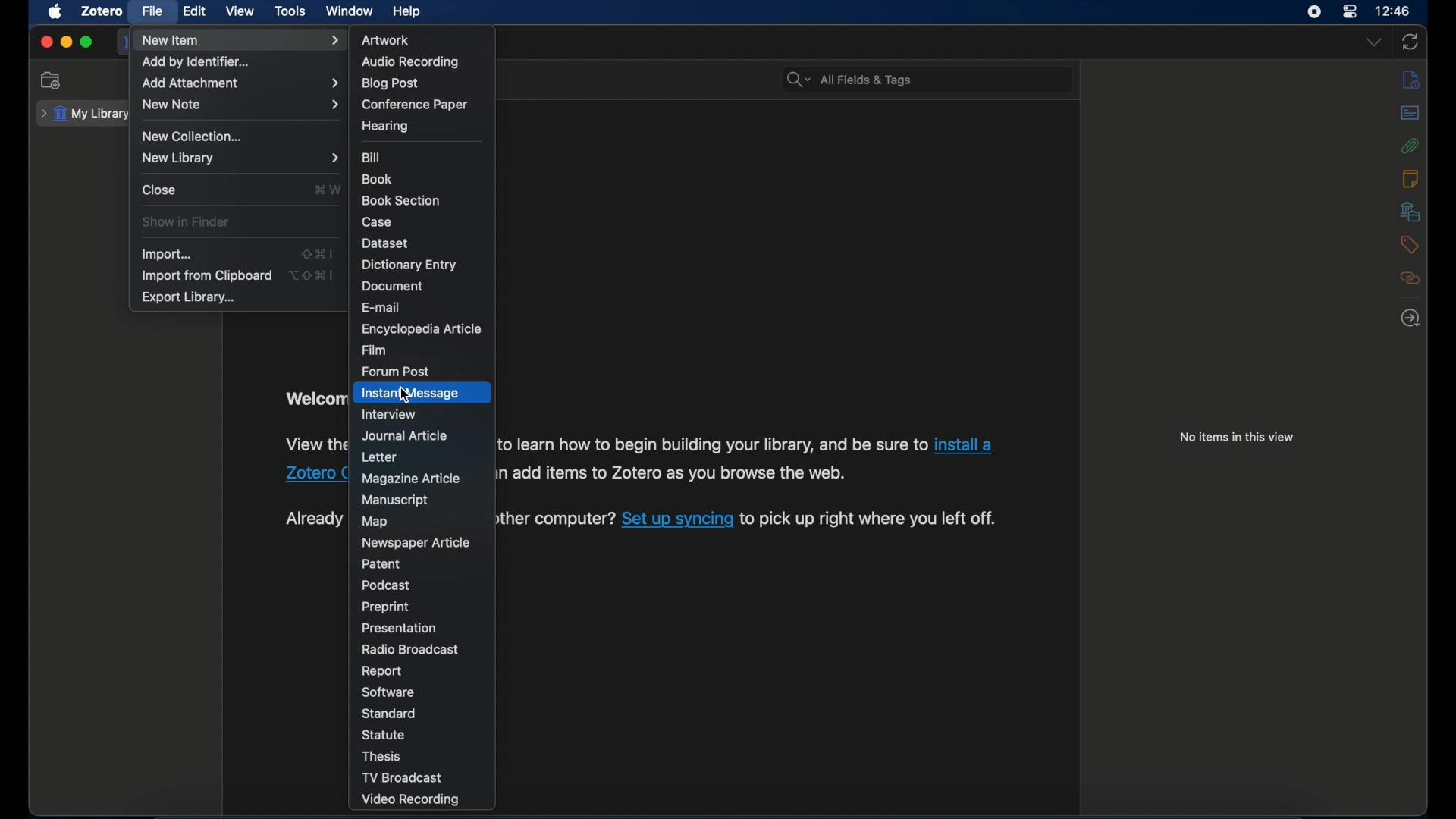 The image size is (1456, 819). I want to click on standard, so click(391, 713).